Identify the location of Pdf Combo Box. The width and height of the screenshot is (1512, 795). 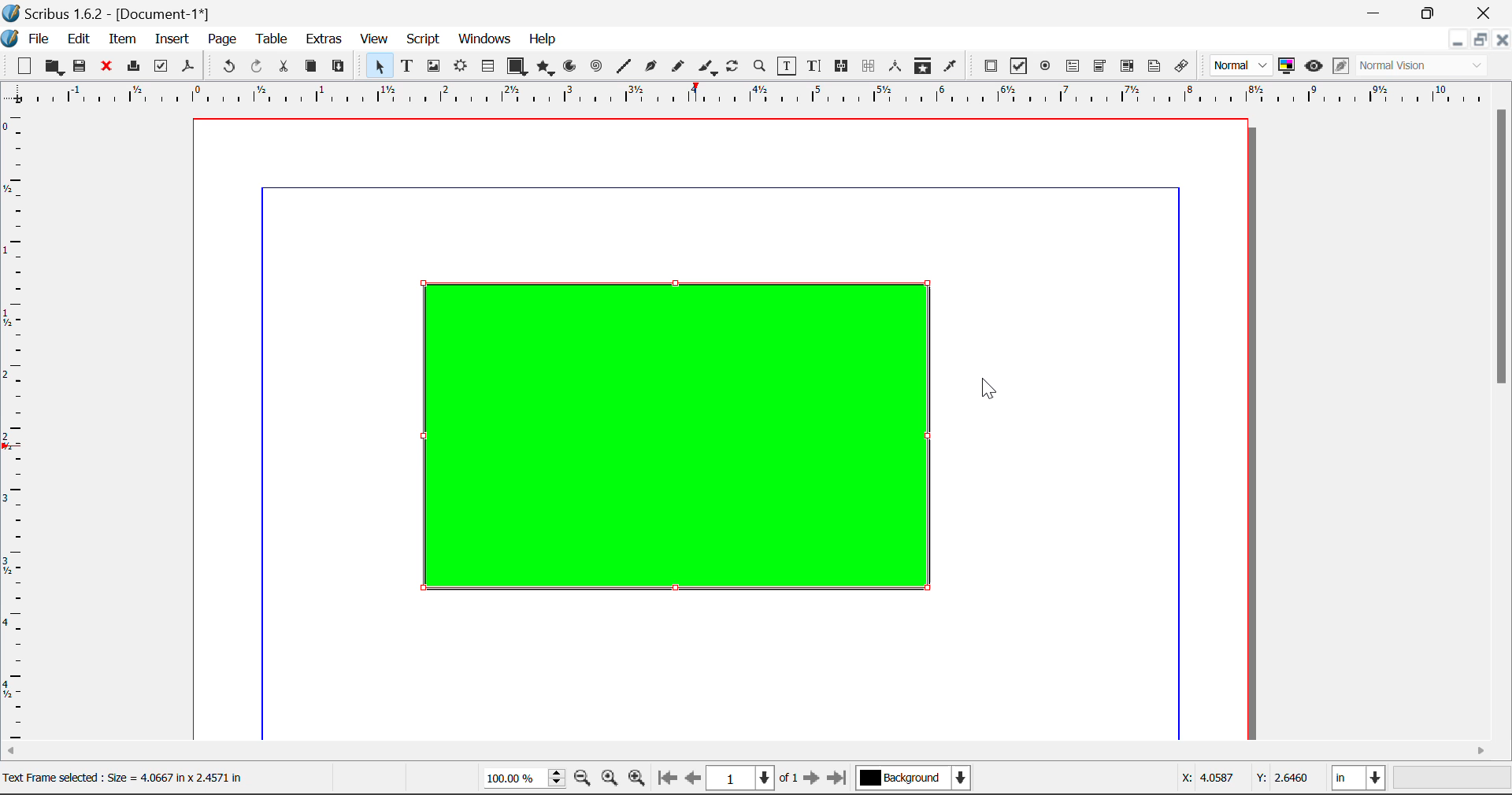
(1100, 65).